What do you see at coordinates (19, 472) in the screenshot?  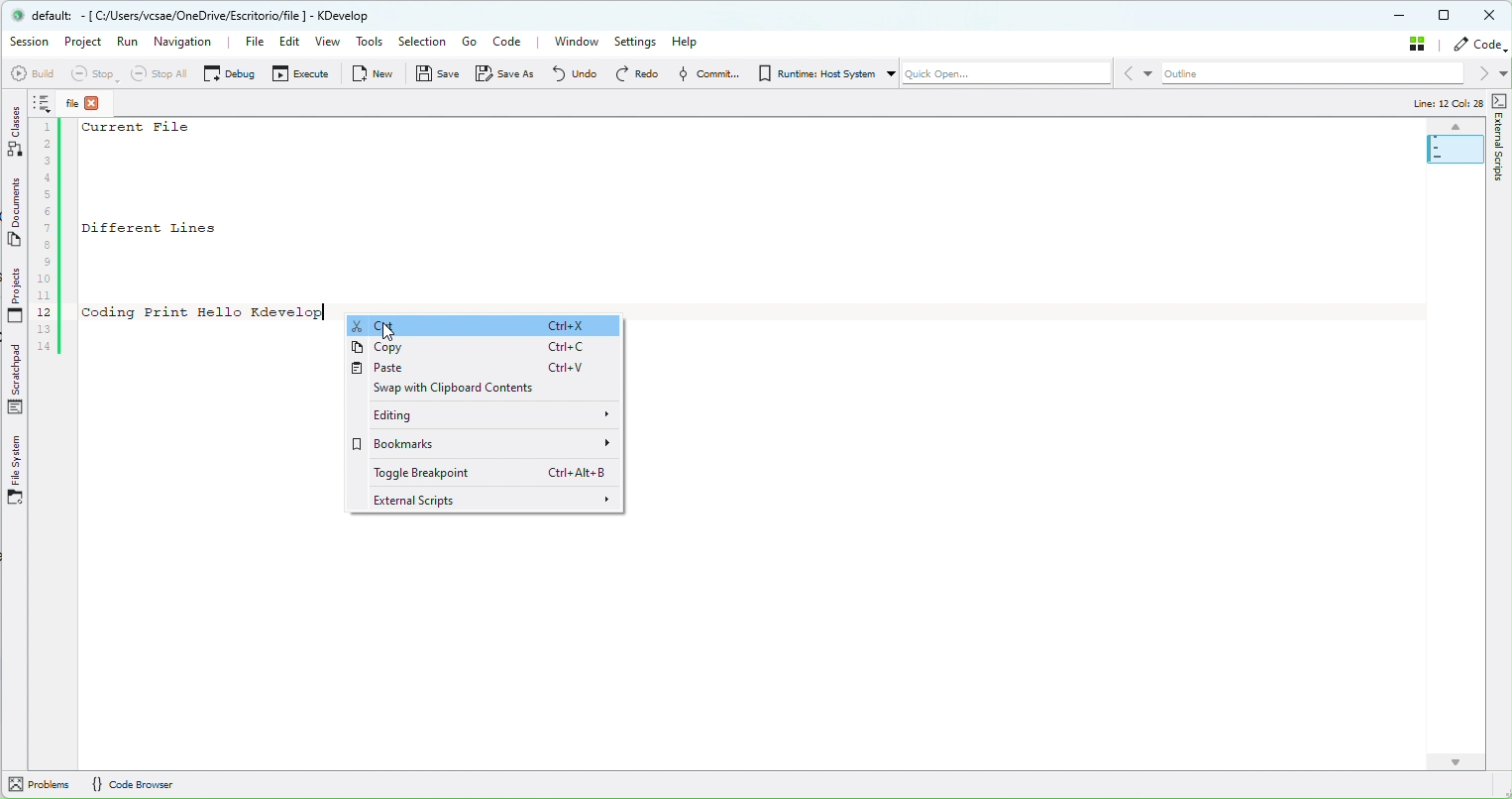 I see `File System` at bounding box center [19, 472].